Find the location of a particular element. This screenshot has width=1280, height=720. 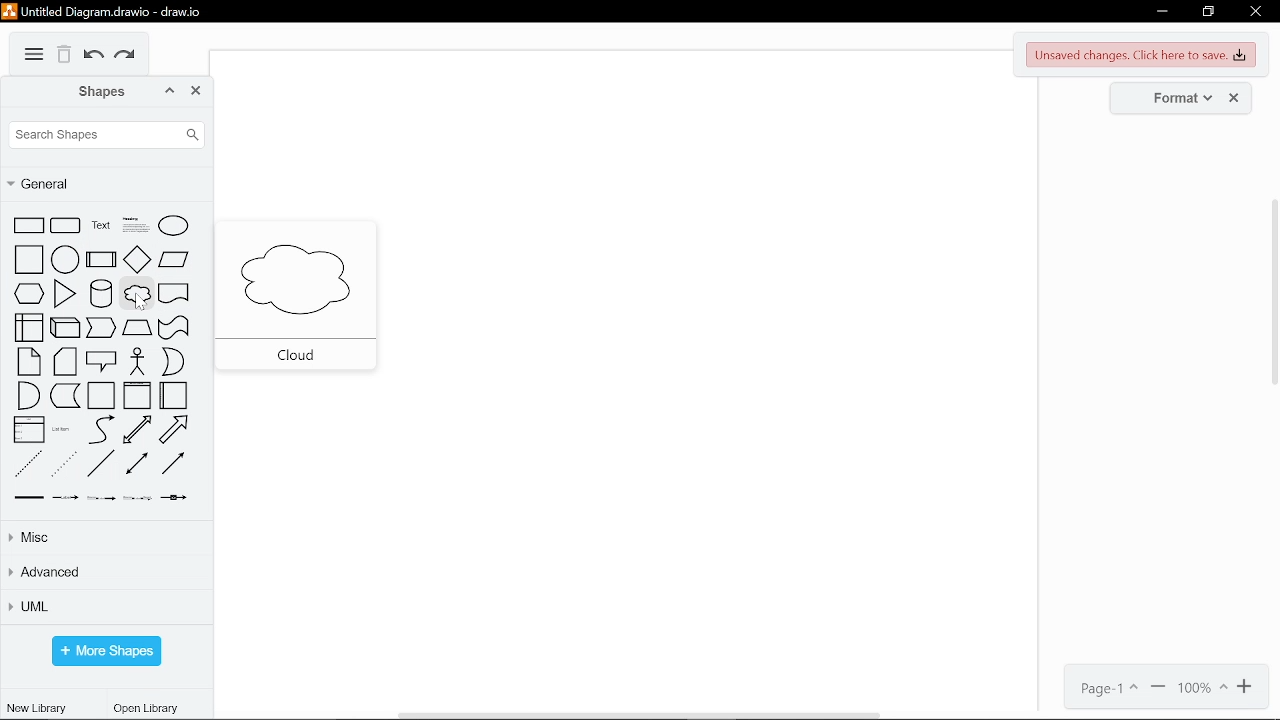

step is located at coordinates (102, 328).